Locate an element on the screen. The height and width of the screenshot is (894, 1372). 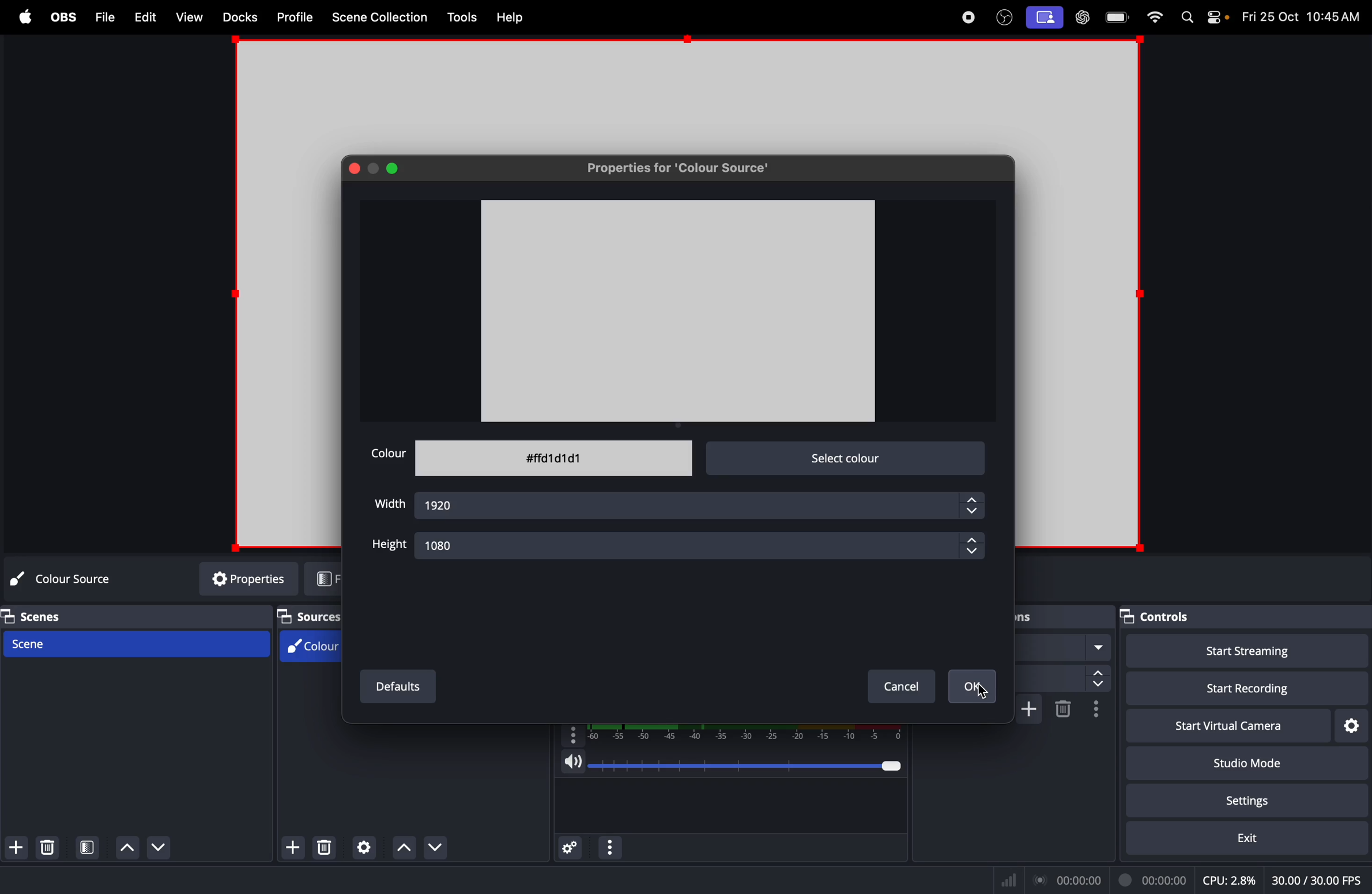
start virtual camera is located at coordinates (1153, 726).